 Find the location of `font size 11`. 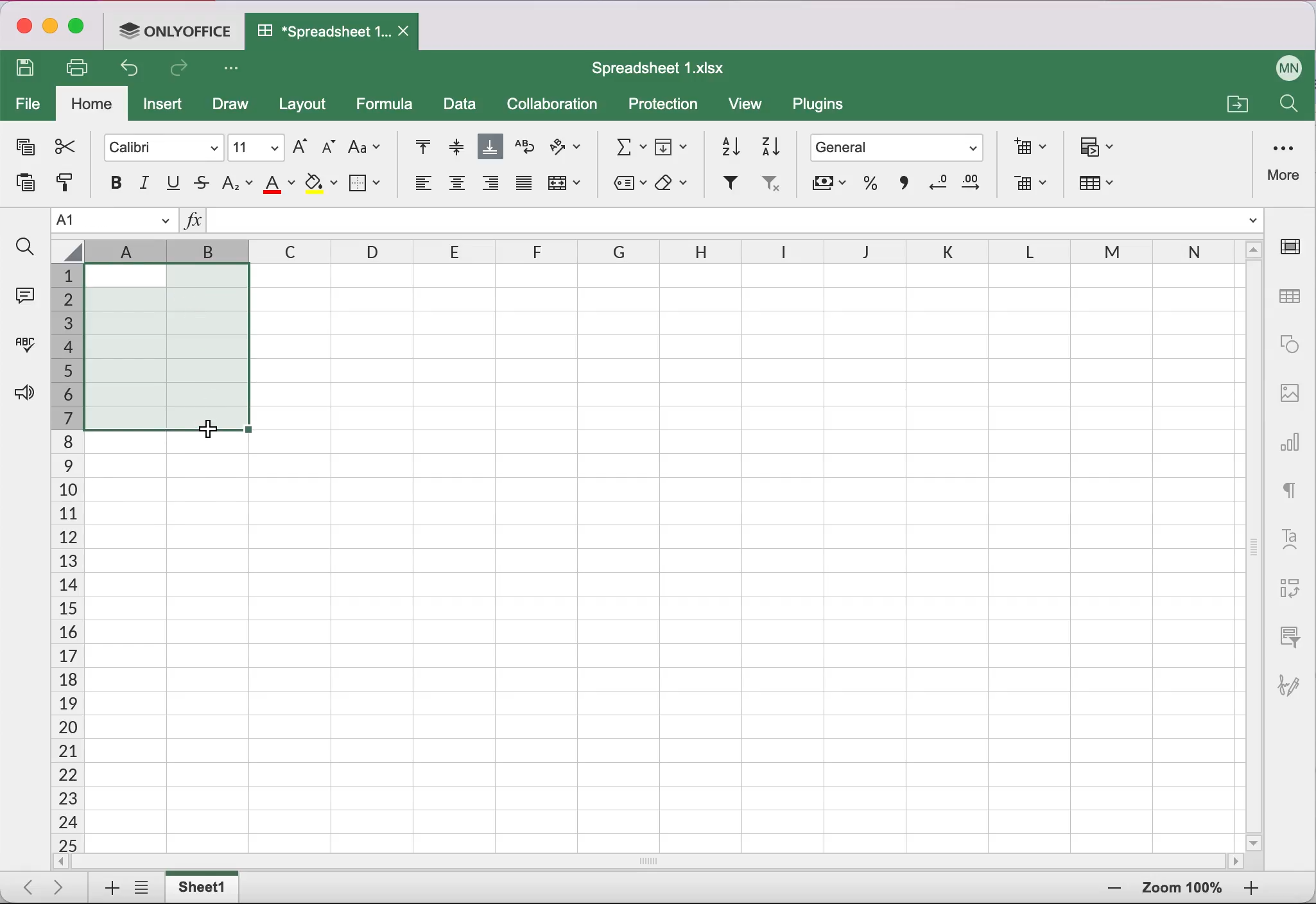

font size 11 is located at coordinates (257, 146).